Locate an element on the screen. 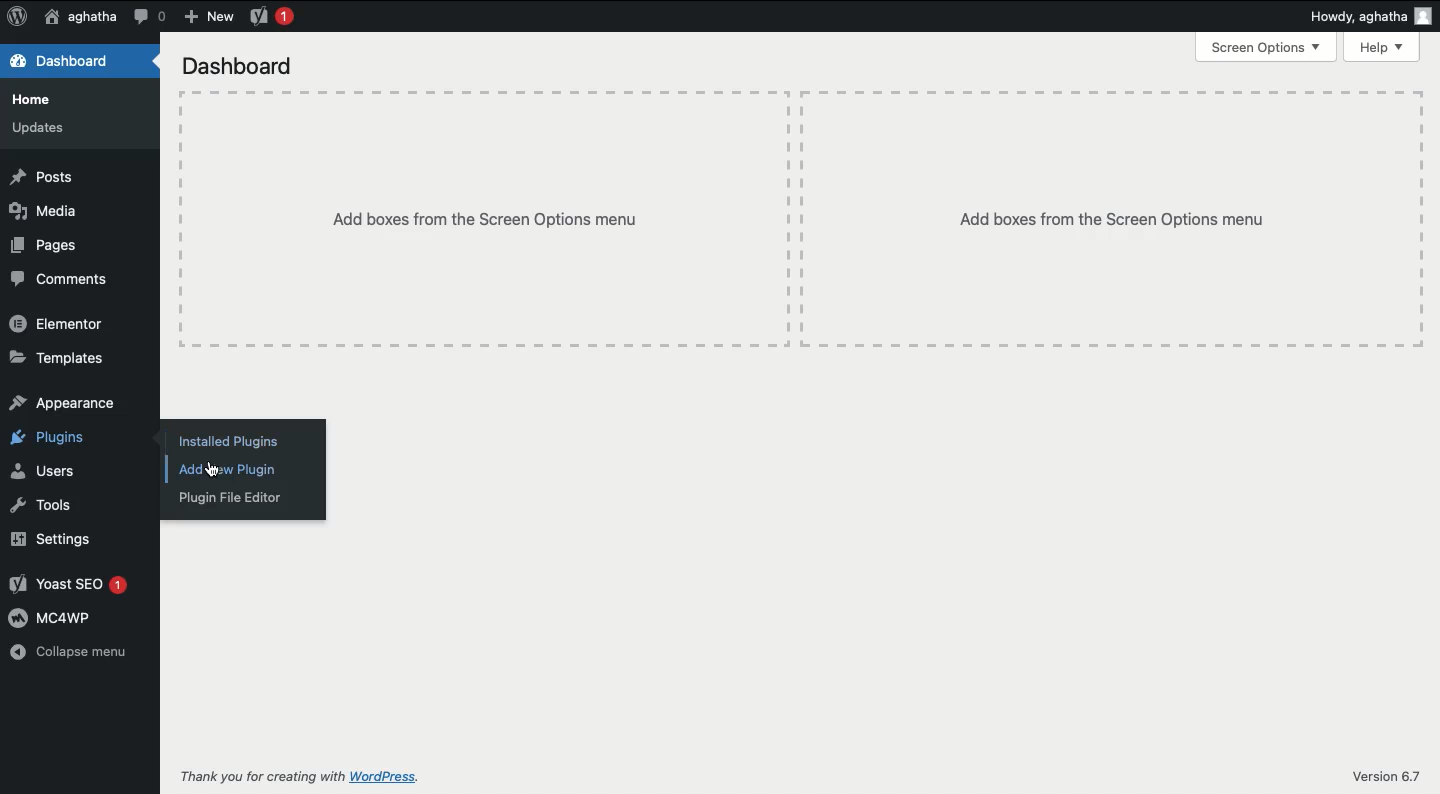  Logo is located at coordinates (17, 18).